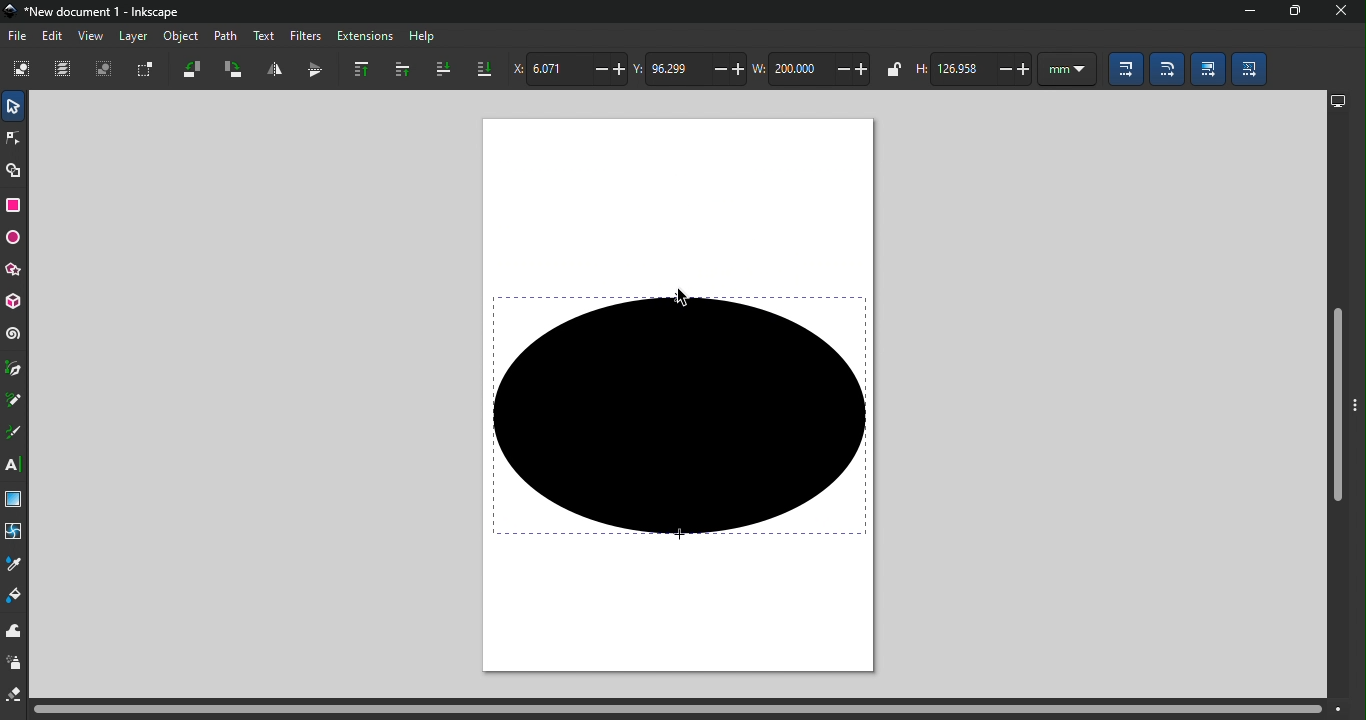 Image resolution: width=1366 pixels, height=720 pixels. I want to click on File name, so click(95, 13).